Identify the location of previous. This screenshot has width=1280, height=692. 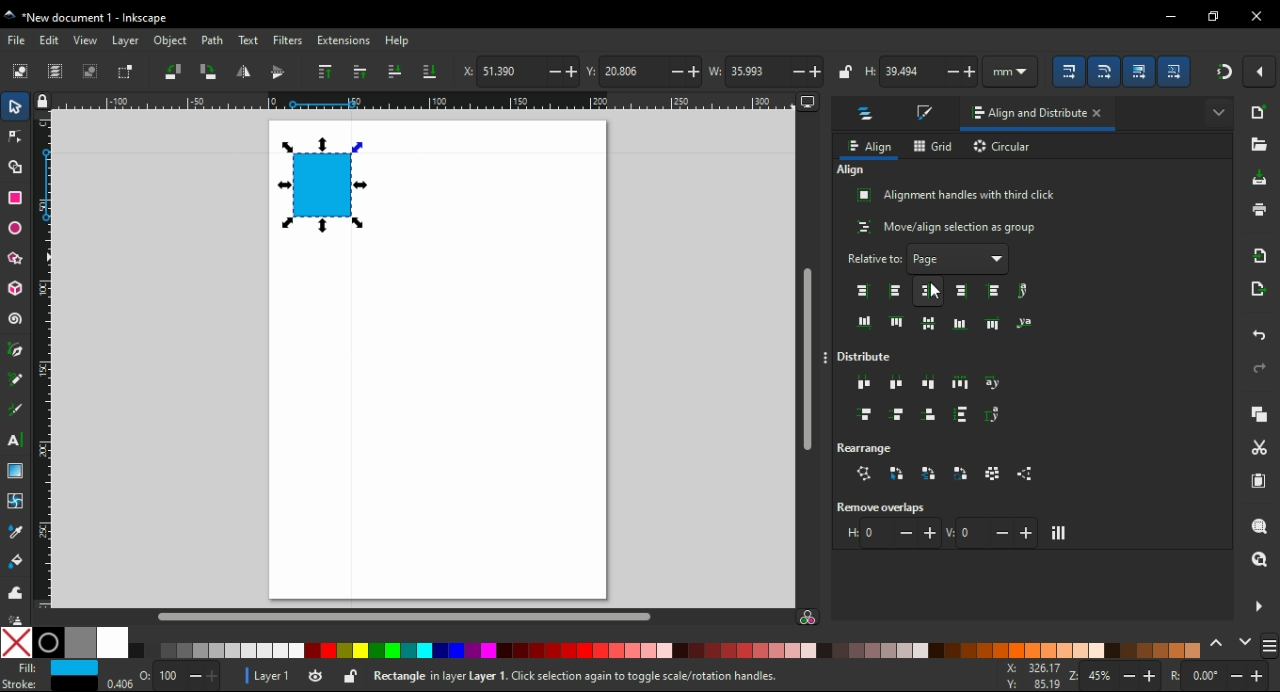
(1219, 642).